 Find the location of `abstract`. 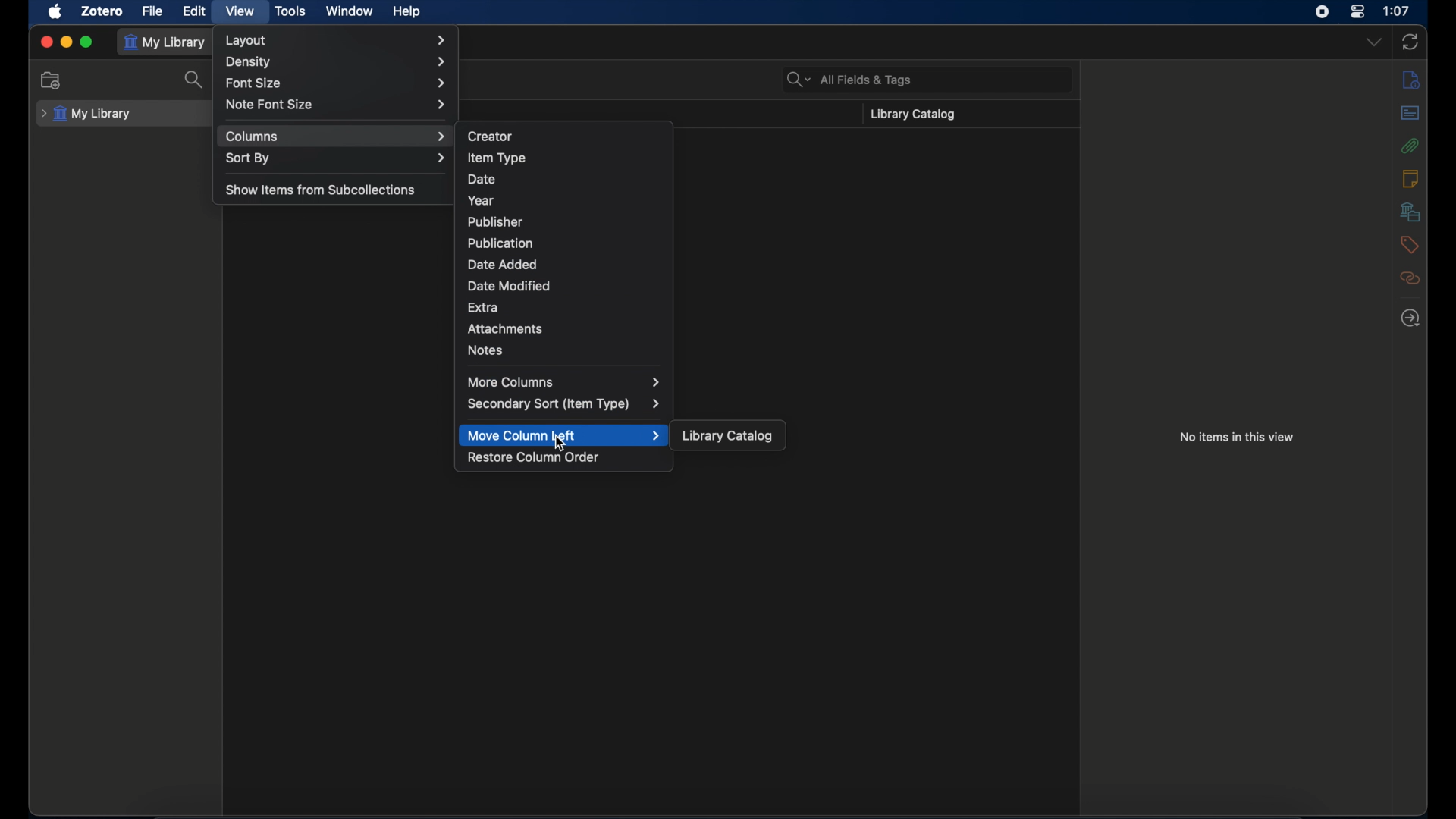

abstract is located at coordinates (1410, 113).